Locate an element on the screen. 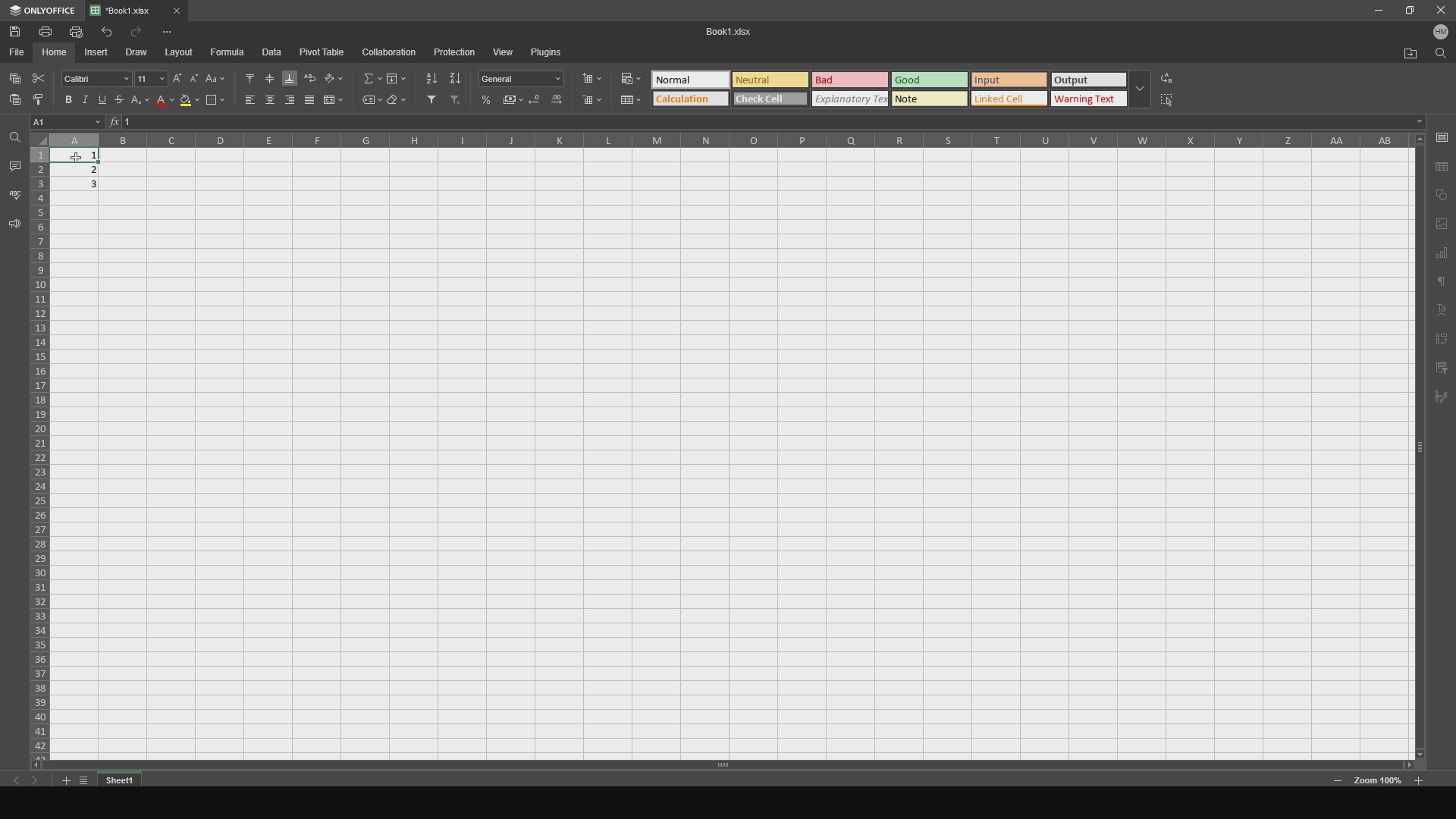  find is located at coordinates (1439, 58).